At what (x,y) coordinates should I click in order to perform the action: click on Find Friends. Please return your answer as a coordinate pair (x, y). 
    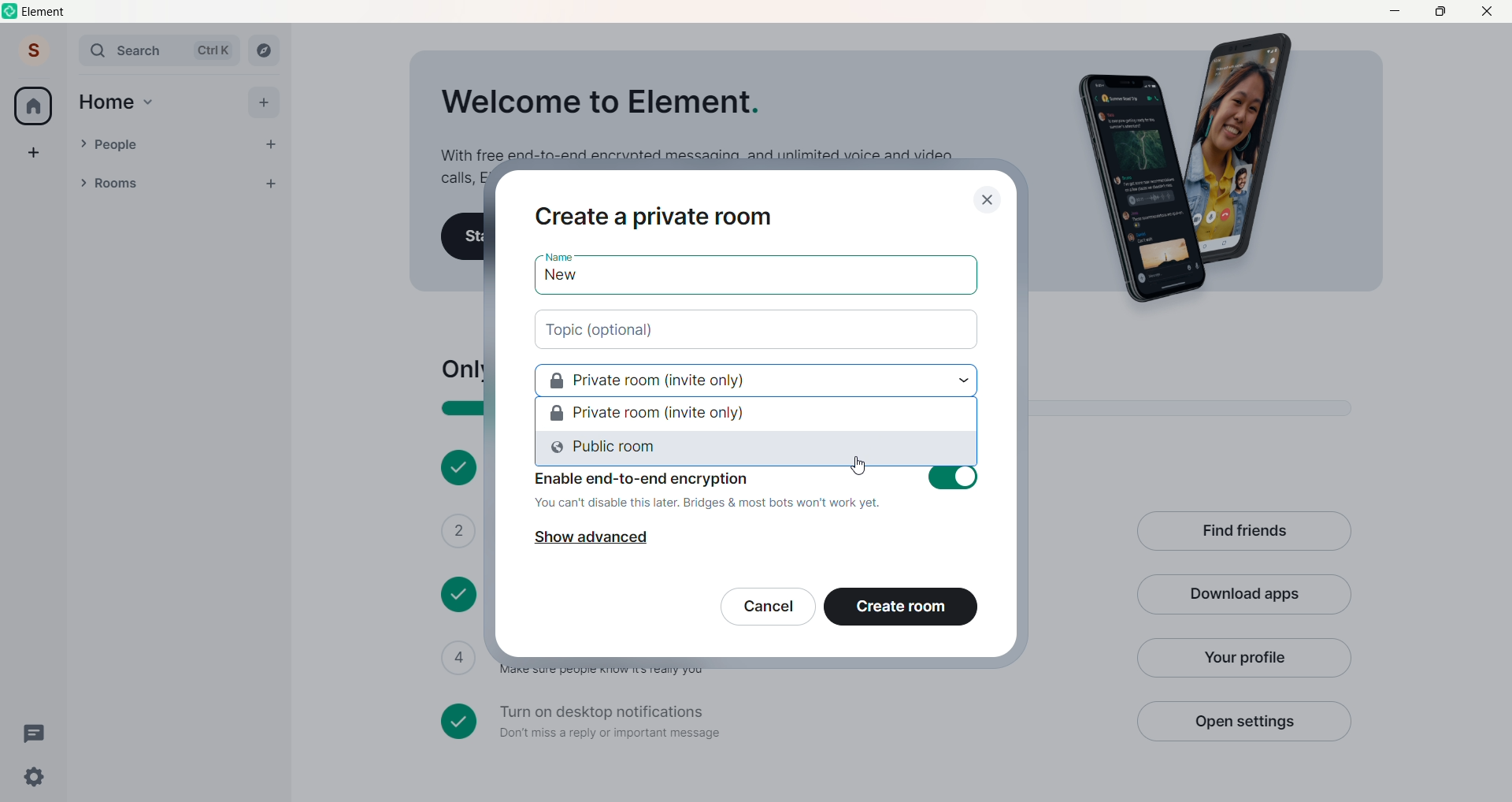
    Looking at the image, I should click on (1243, 533).